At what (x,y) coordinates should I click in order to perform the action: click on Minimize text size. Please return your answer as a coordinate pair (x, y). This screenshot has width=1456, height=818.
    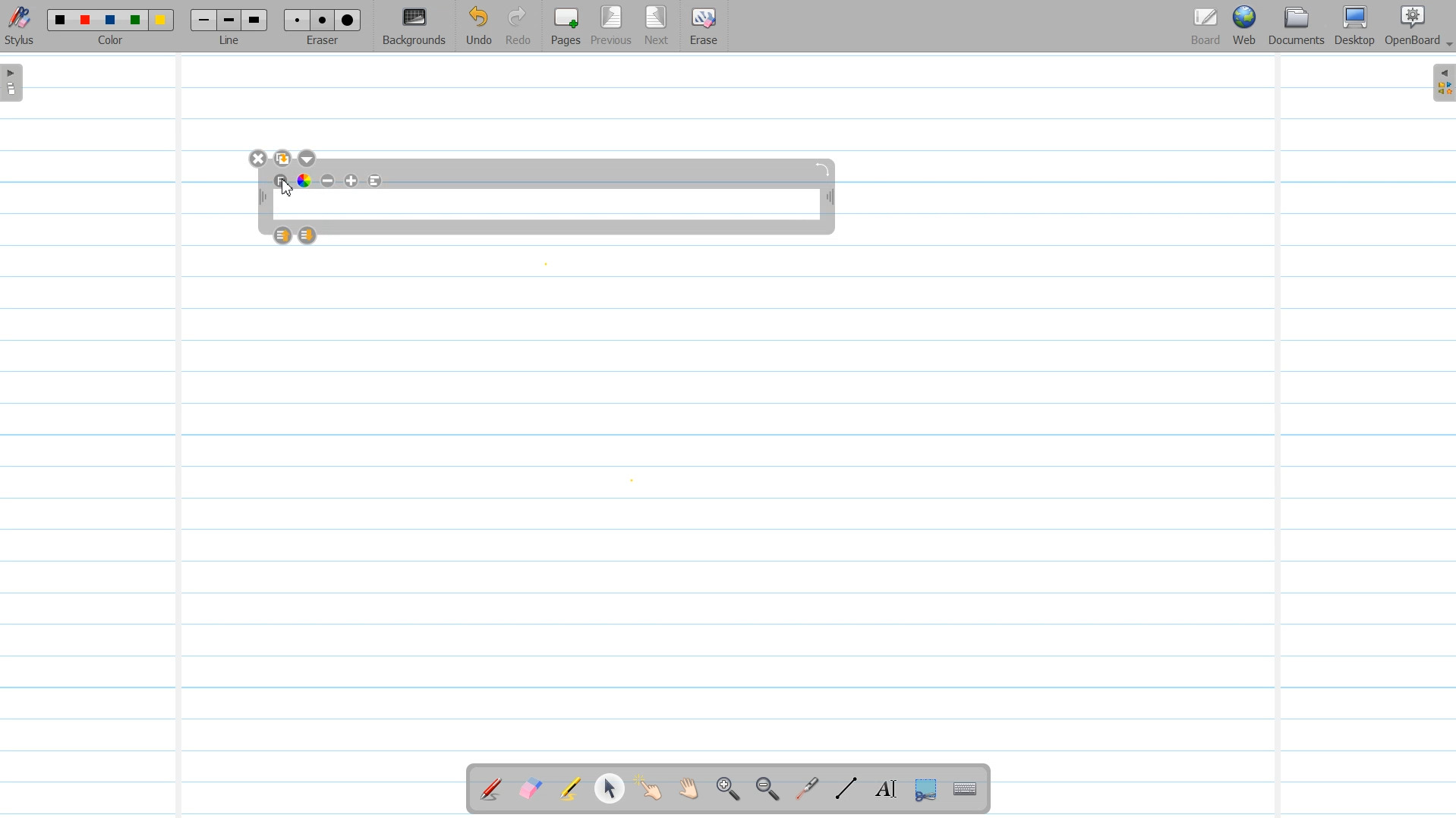
    Looking at the image, I should click on (329, 181).